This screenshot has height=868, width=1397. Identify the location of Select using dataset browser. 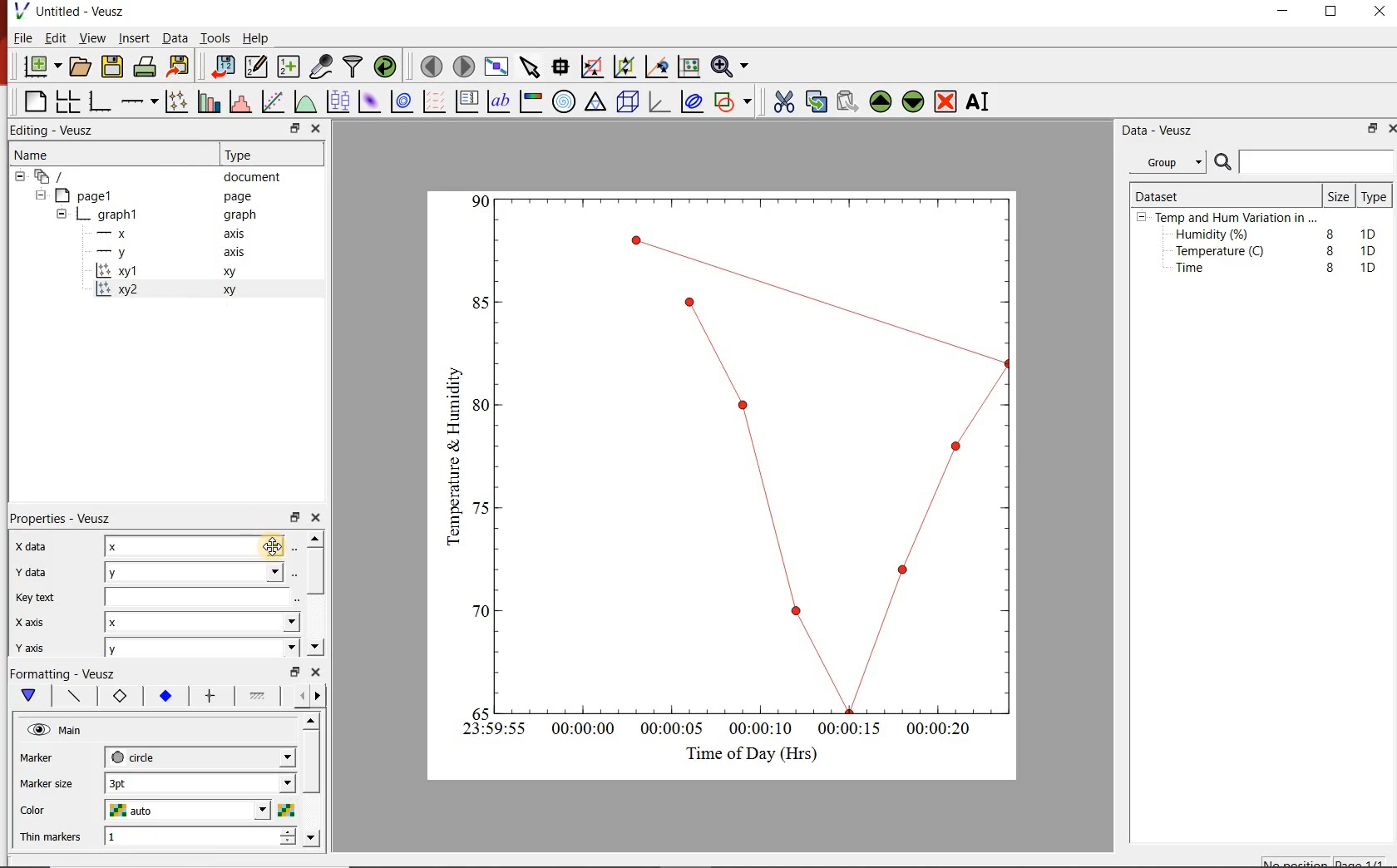
(295, 572).